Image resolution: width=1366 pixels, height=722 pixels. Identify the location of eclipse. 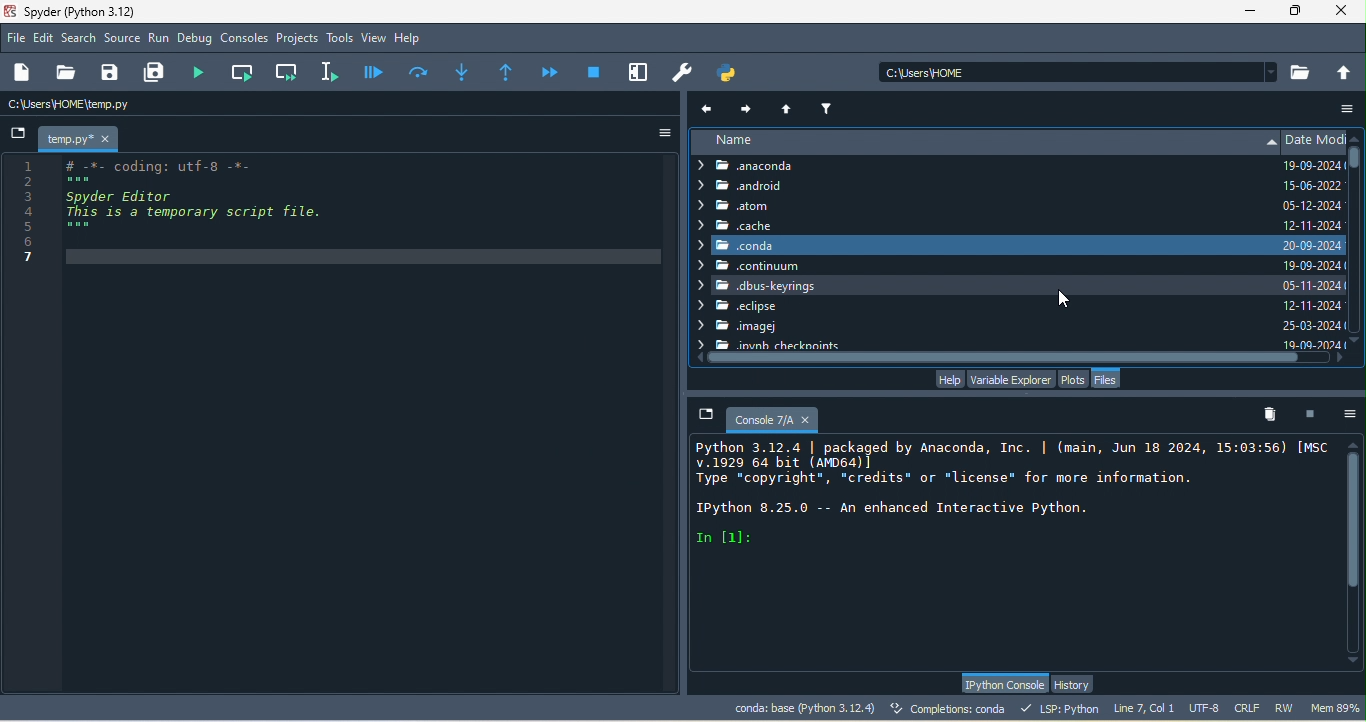
(737, 307).